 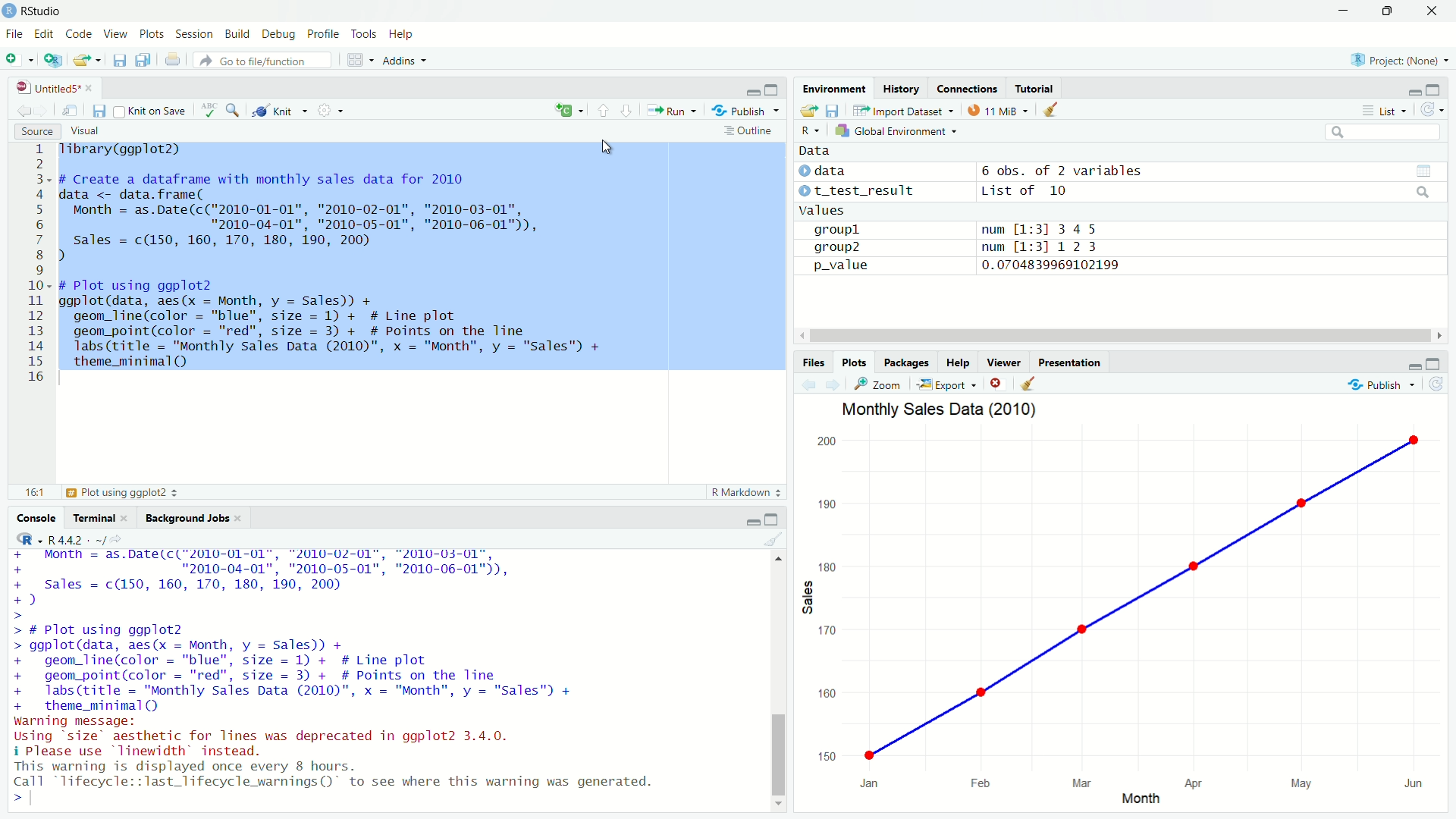 I want to click on Knit on Save, so click(x=152, y=110).